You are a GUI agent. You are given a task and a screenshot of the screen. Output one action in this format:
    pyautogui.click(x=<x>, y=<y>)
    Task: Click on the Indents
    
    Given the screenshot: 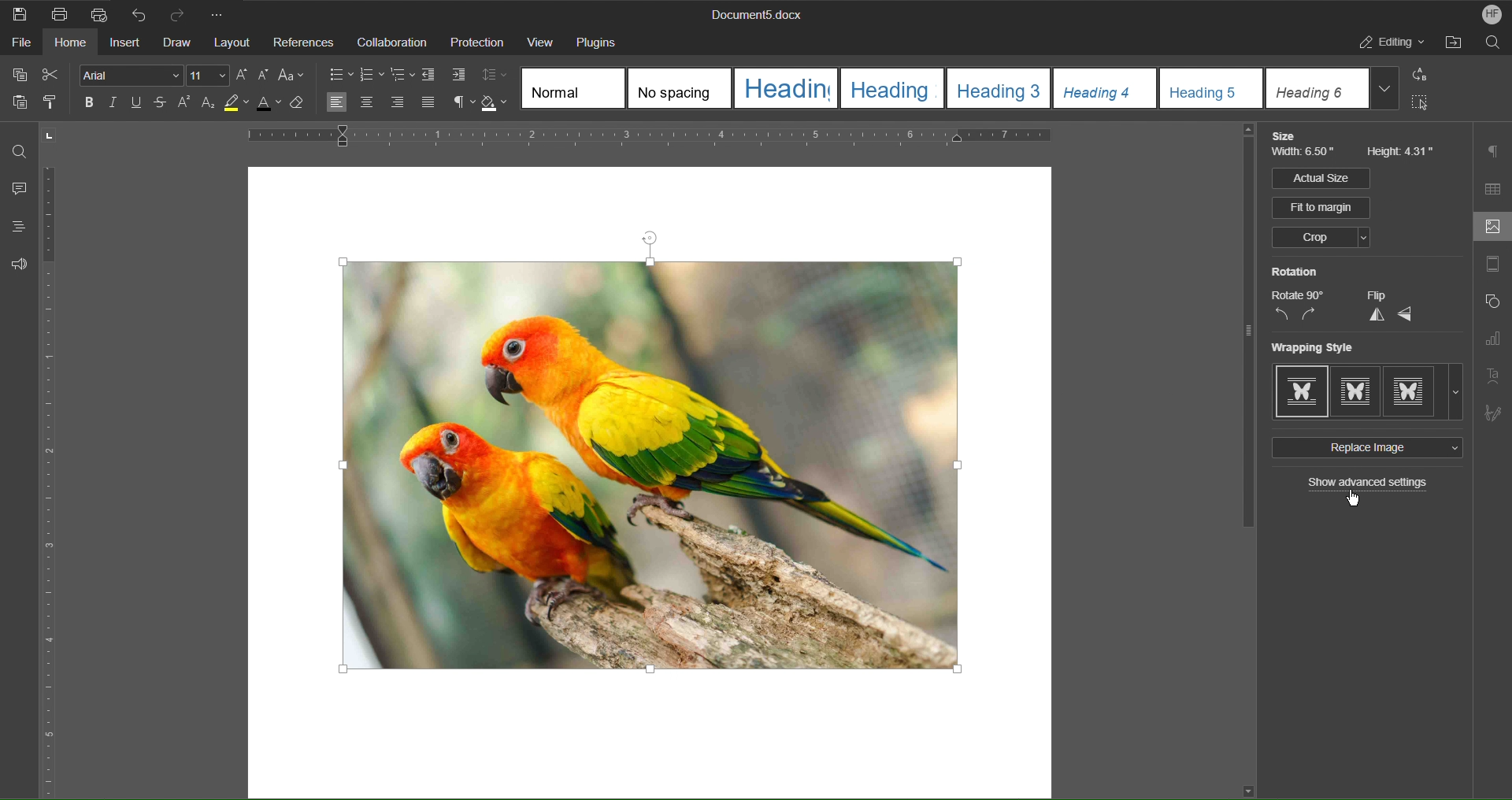 What is the action you would take?
    pyautogui.click(x=447, y=76)
    